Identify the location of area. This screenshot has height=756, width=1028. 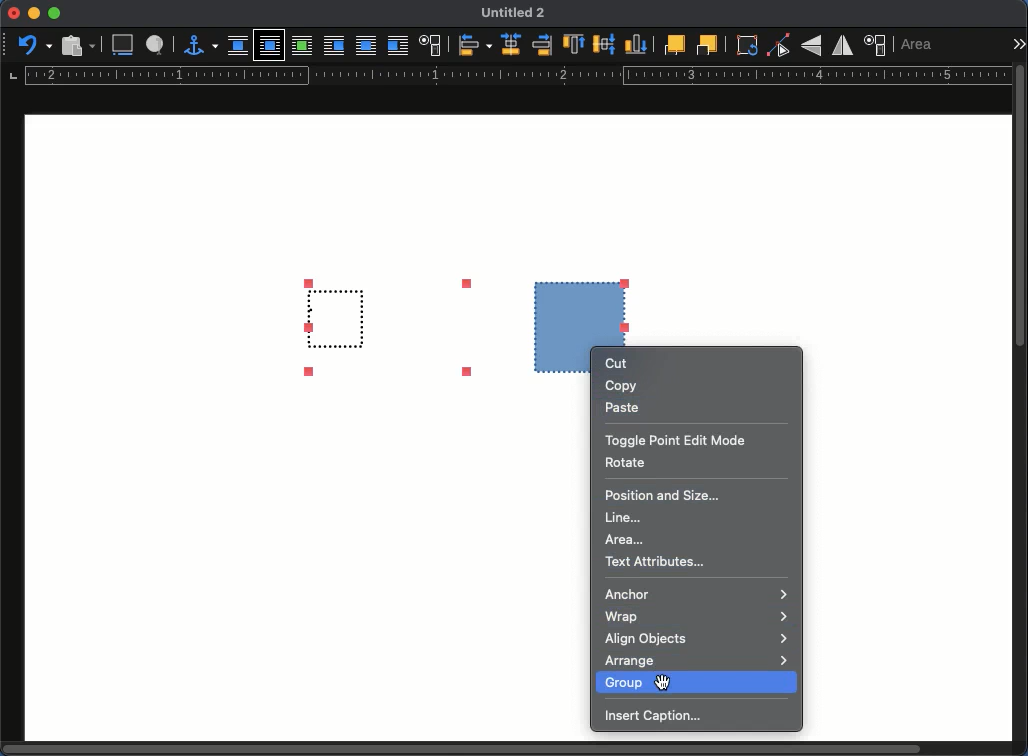
(919, 44).